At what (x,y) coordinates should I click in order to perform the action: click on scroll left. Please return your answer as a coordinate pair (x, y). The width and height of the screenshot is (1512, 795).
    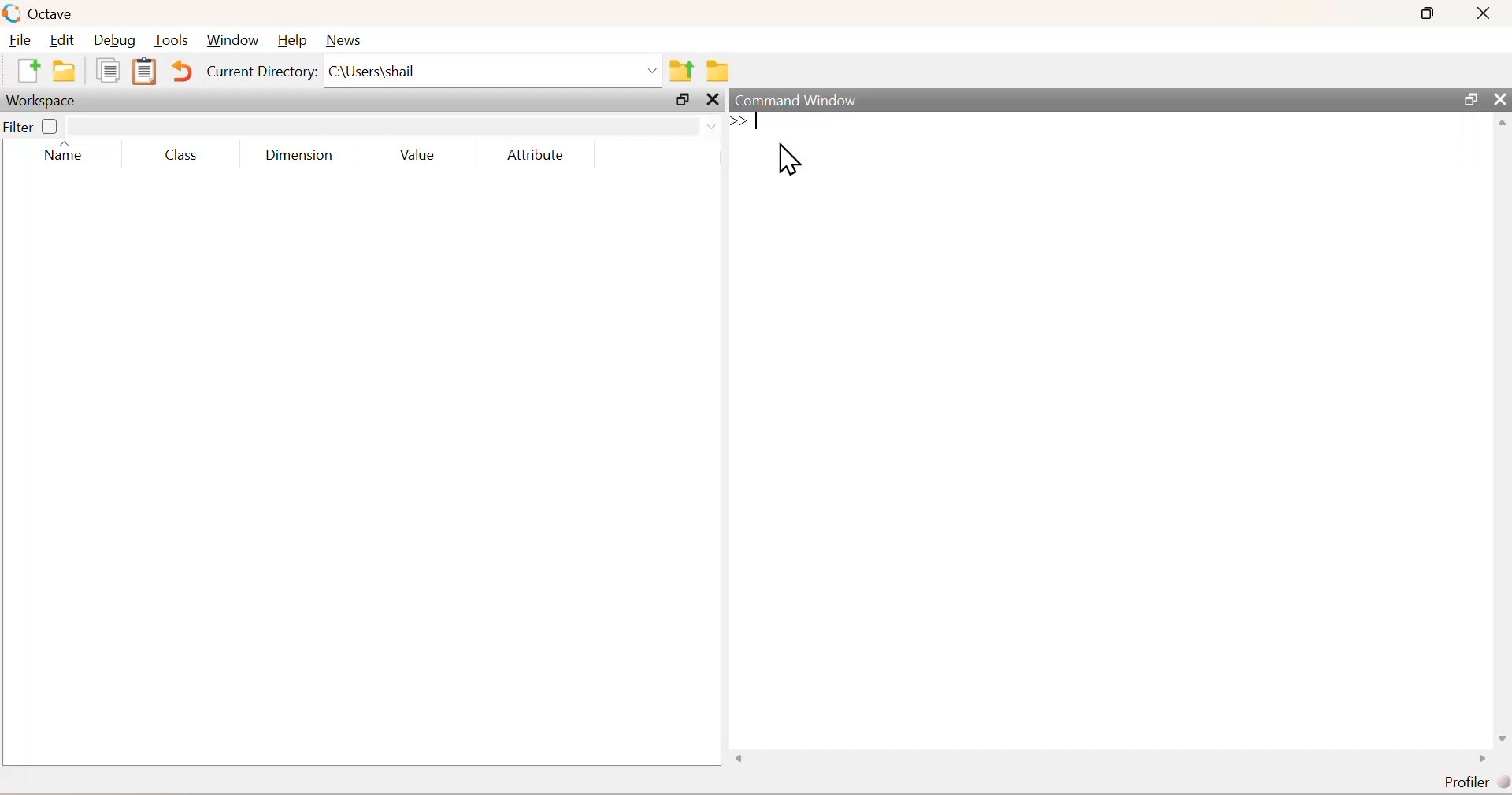
    Looking at the image, I should click on (1479, 759).